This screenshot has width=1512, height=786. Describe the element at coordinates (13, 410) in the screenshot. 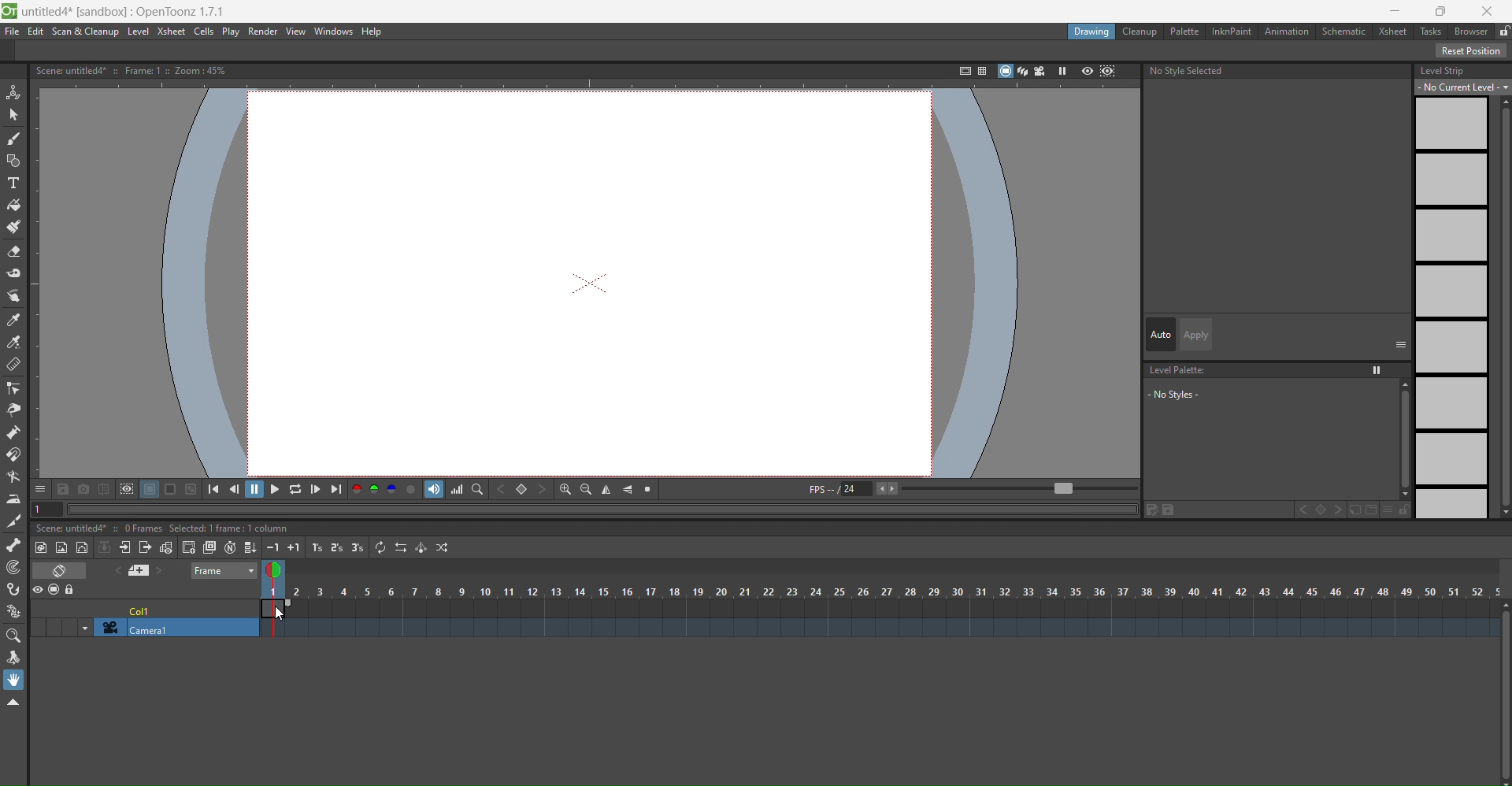

I see `pinch tool` at that location.